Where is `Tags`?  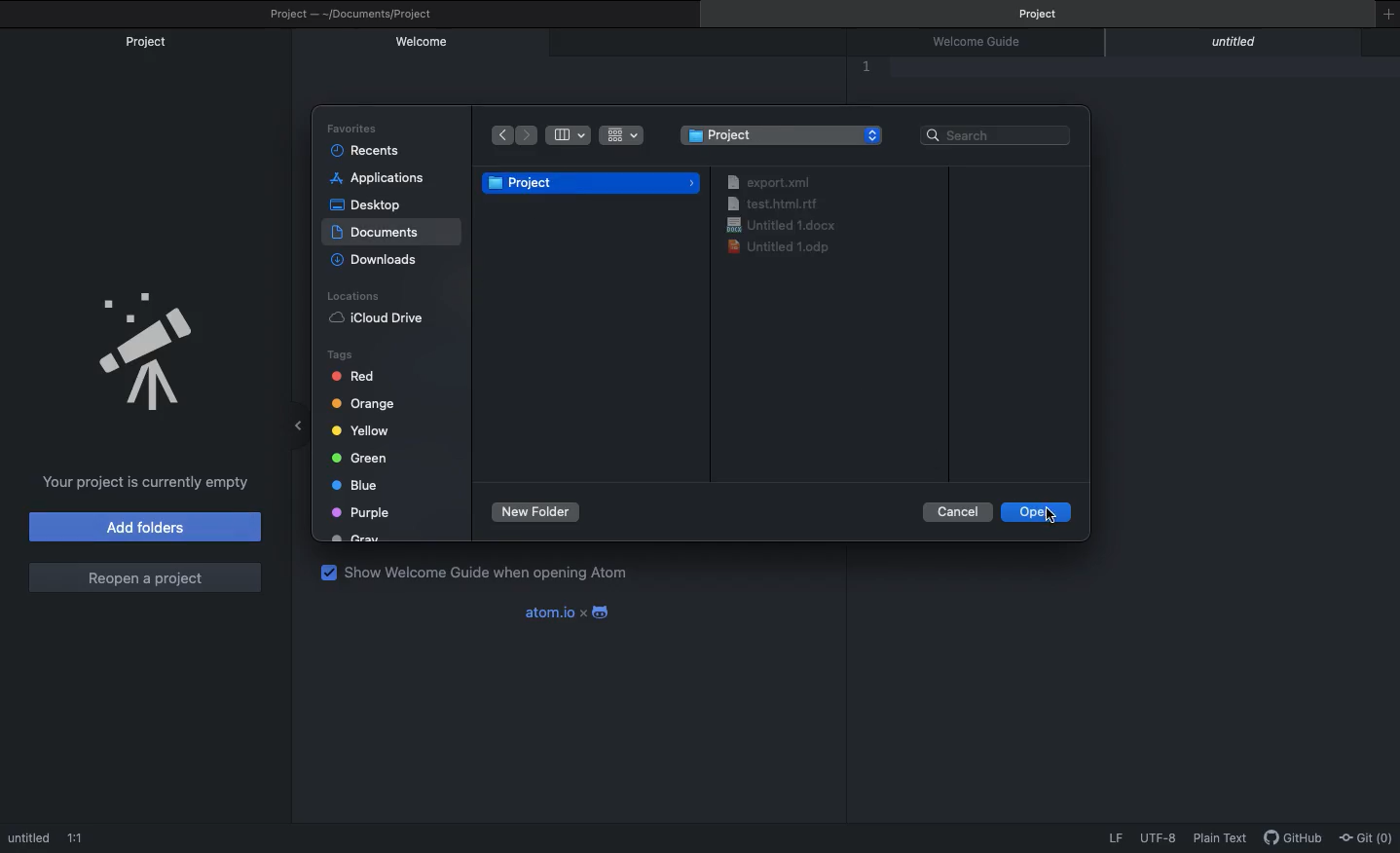 Tags is located at coordinates (373, 443).